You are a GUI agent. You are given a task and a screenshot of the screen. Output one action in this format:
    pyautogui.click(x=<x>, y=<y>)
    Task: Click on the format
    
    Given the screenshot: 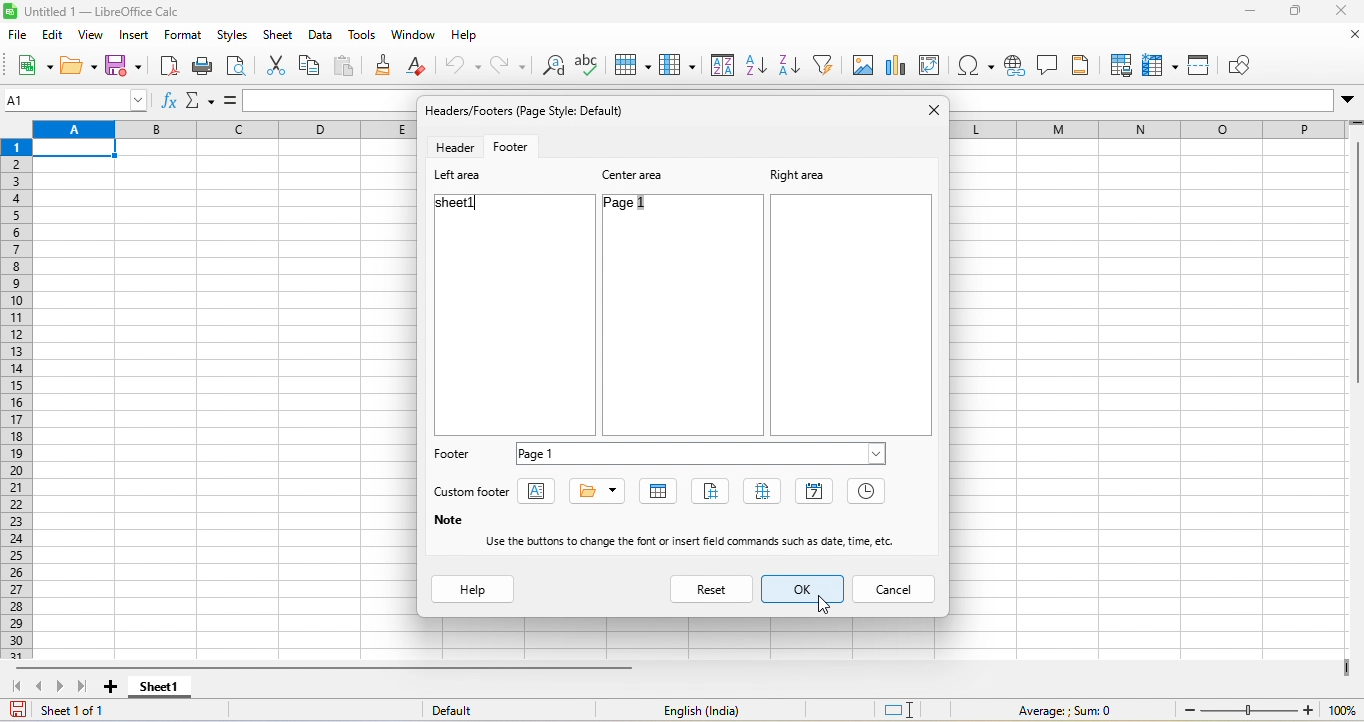 What is the action you would take?
    pyautogui.click(x=185, y=38)
    